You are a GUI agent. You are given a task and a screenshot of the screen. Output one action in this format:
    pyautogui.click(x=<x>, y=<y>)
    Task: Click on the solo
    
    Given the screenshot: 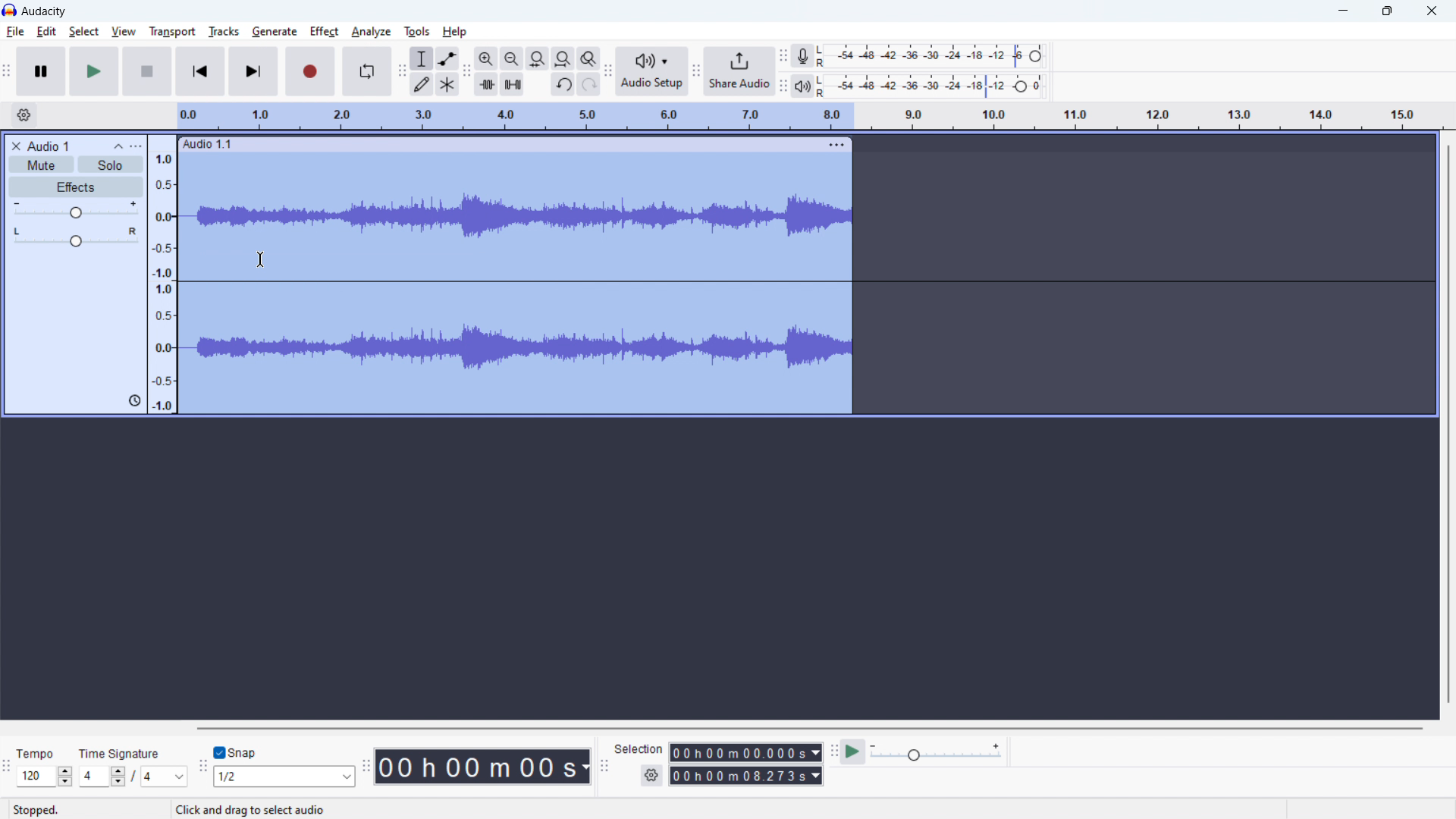 What is the action you would take?
    pyautogui.click(x=111, y=164)
    